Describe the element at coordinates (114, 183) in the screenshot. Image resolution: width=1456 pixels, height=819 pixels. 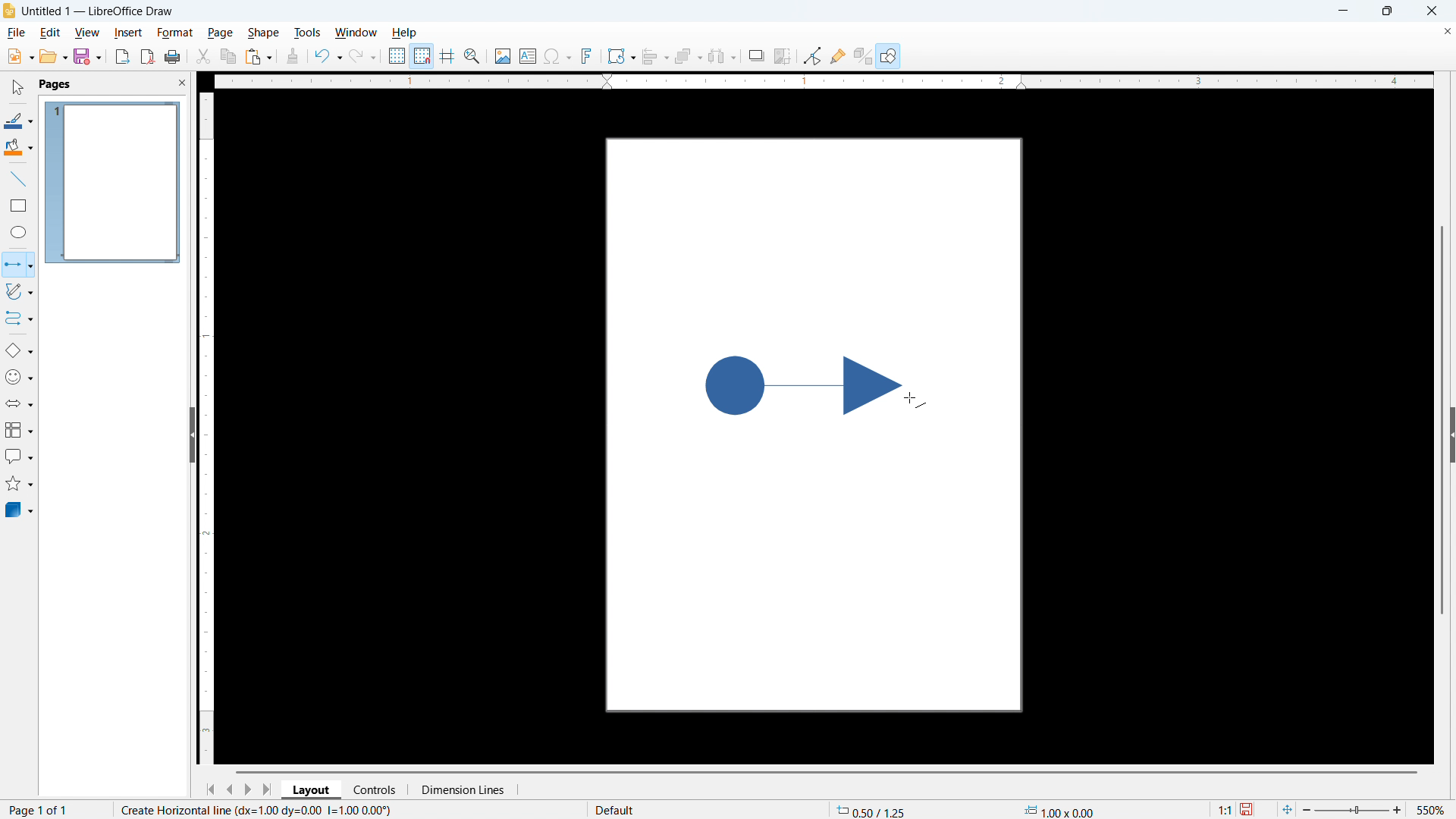
I see `Page display ` at that location.